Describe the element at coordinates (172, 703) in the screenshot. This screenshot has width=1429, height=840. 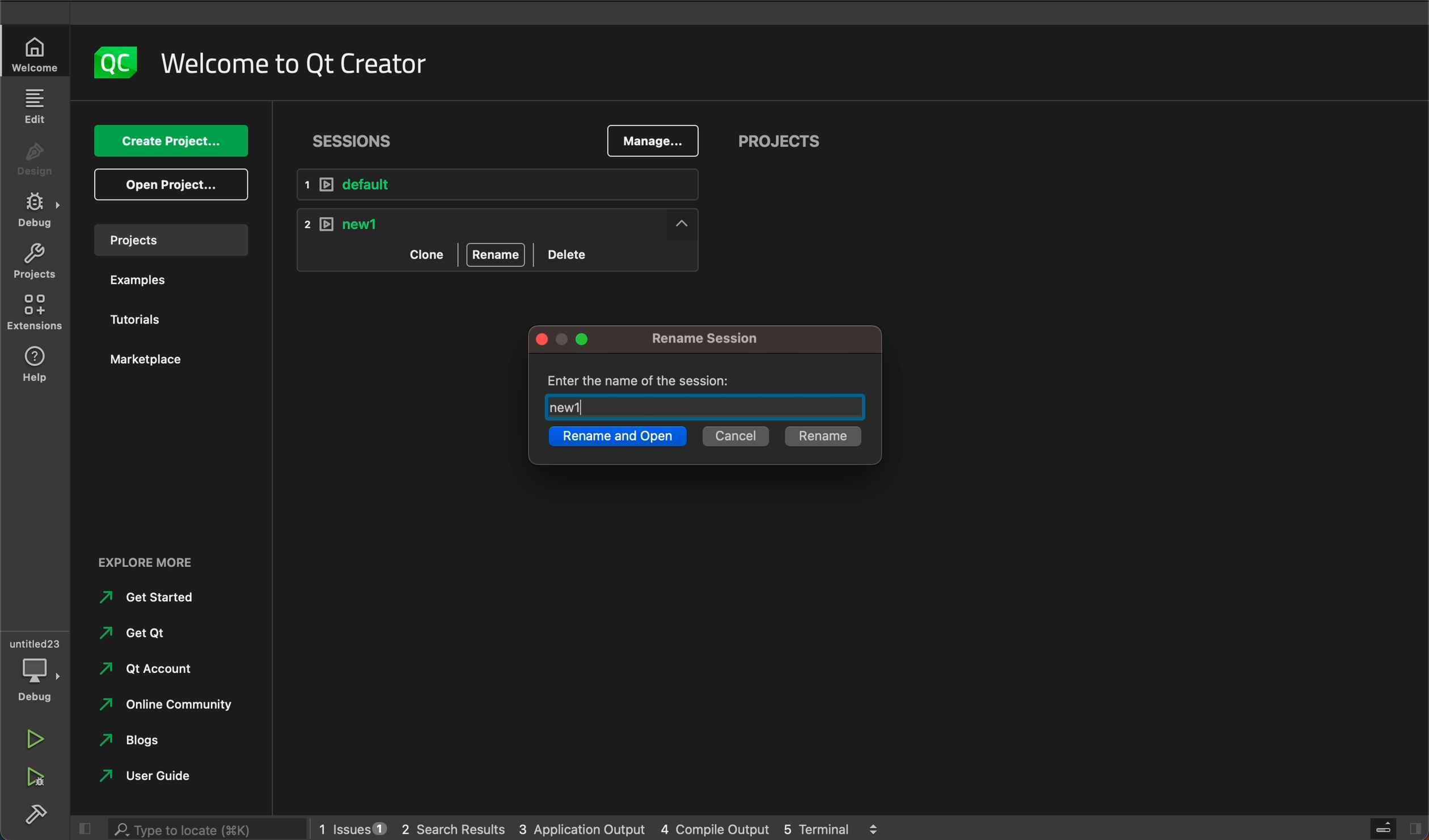
I see `online` at that location.